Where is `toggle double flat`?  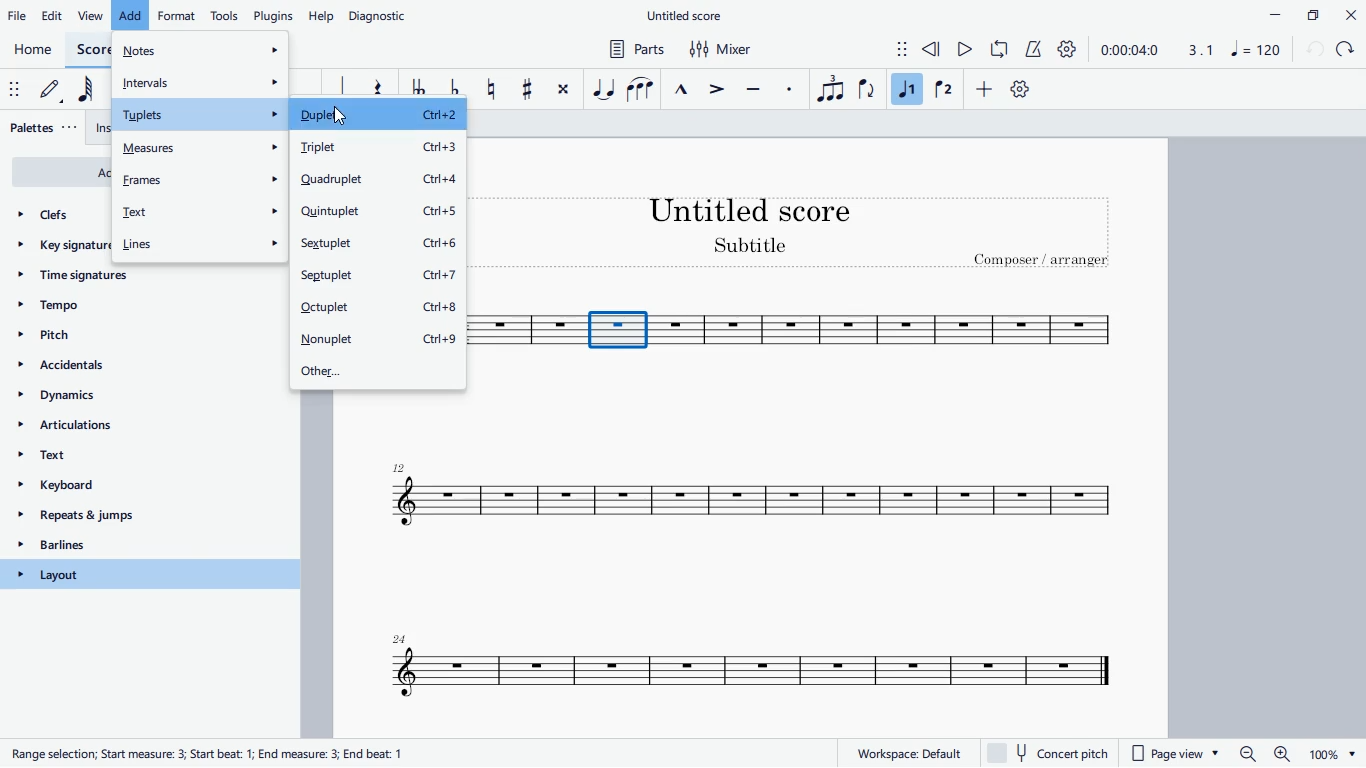 toggle double flat is located at coordinates (417, 91).